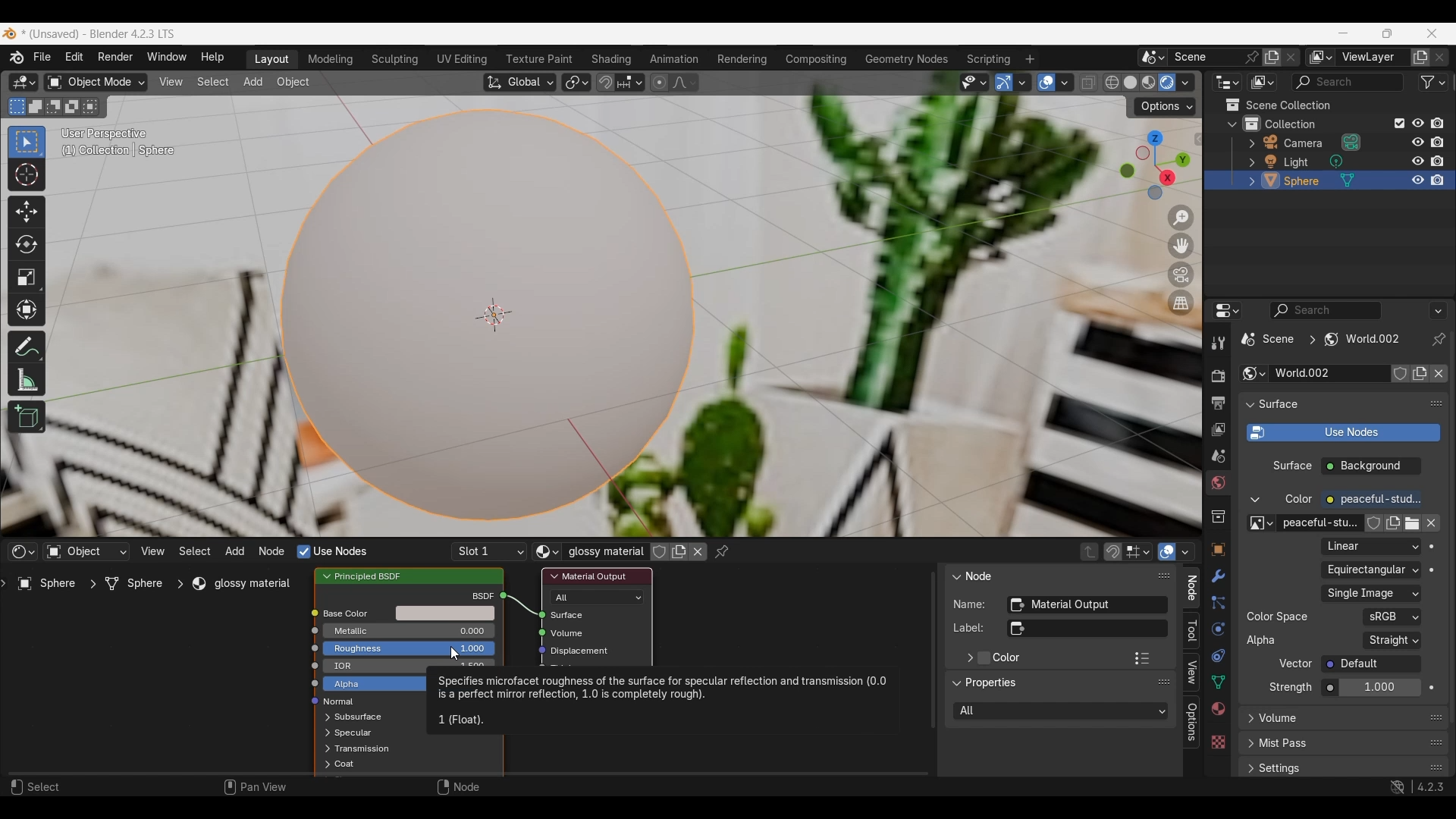  What do you see at coordinates (1249, 405) in the screenshot?
I see `Collapse` at bounding box center [1249, 405].